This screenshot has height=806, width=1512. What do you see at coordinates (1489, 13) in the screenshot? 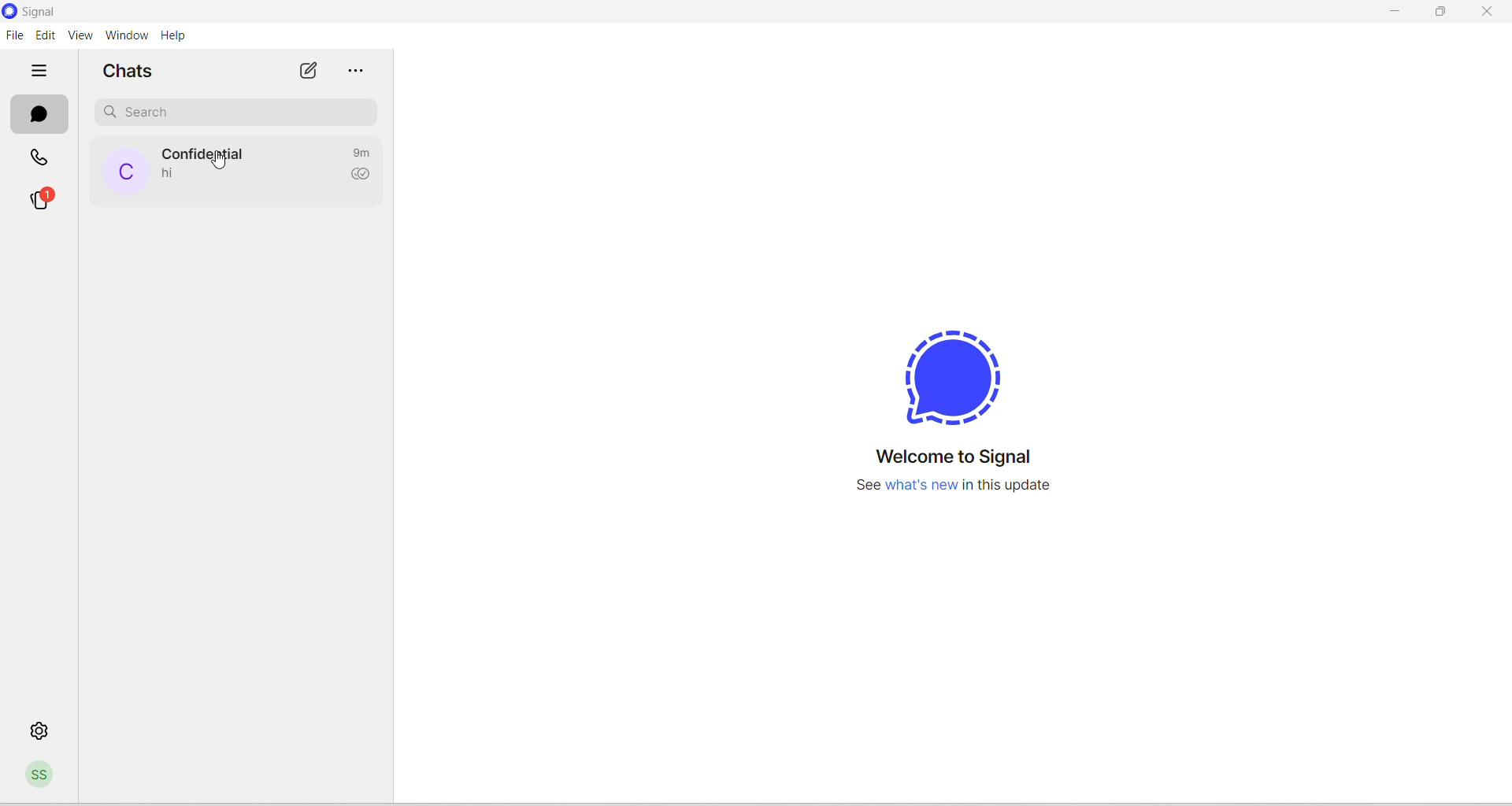
I see `close` at bounding box center [1489, 13].